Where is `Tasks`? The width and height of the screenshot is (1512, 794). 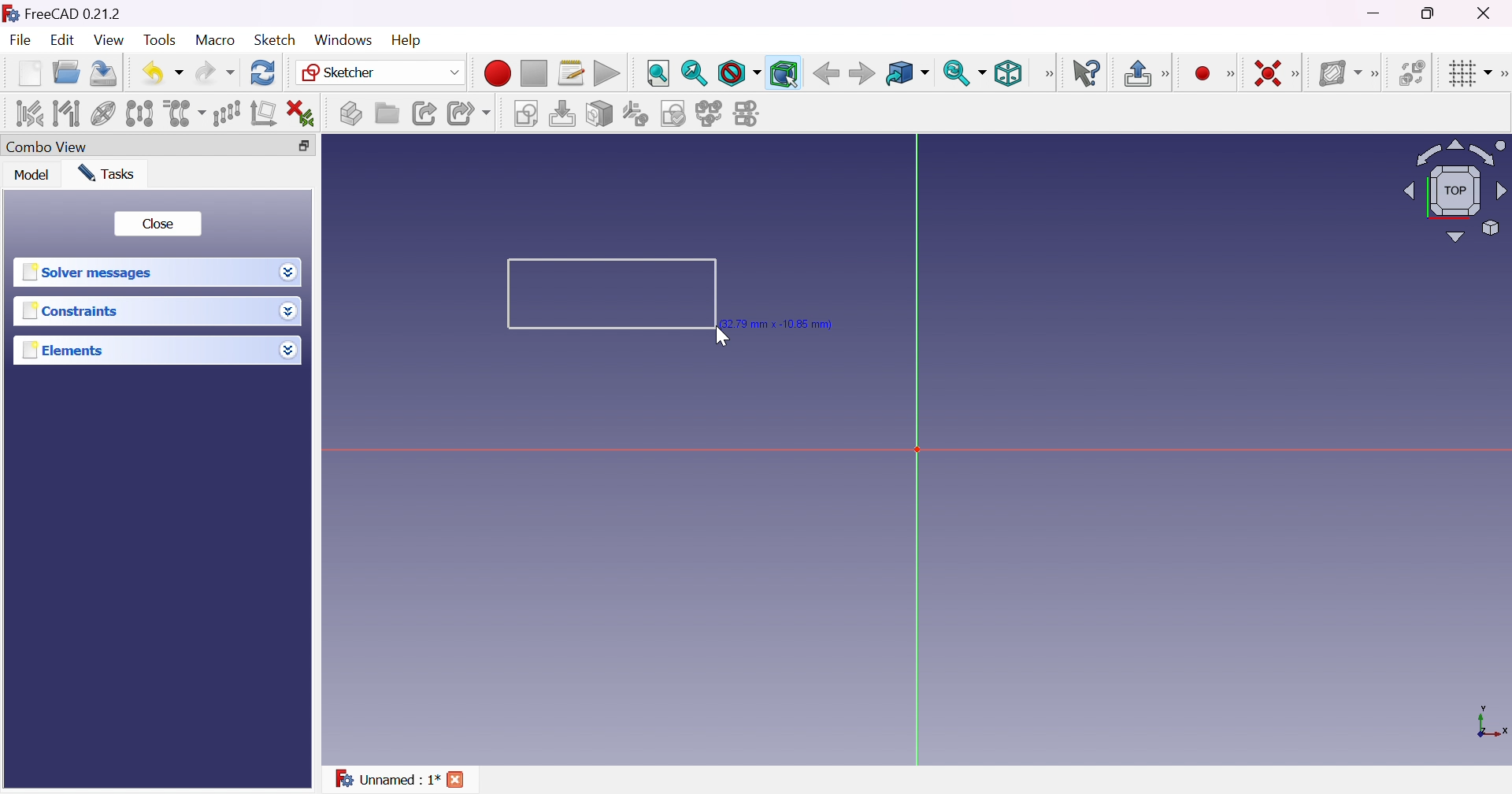
Tasks is located at coordinates (106, 173).